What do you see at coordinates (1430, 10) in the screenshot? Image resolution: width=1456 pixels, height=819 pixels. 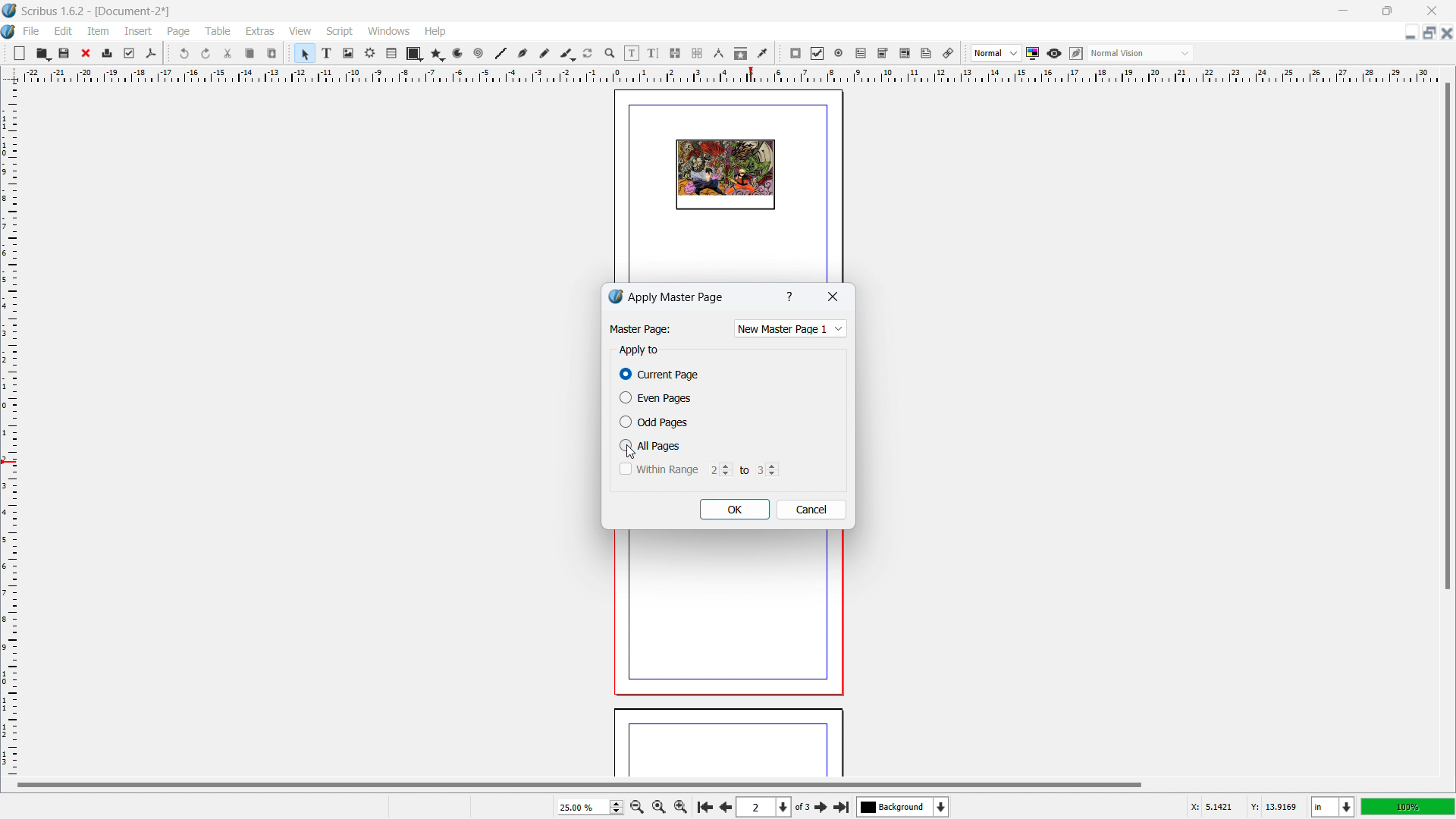 I see `close window` at bounding box center [1430, 10].